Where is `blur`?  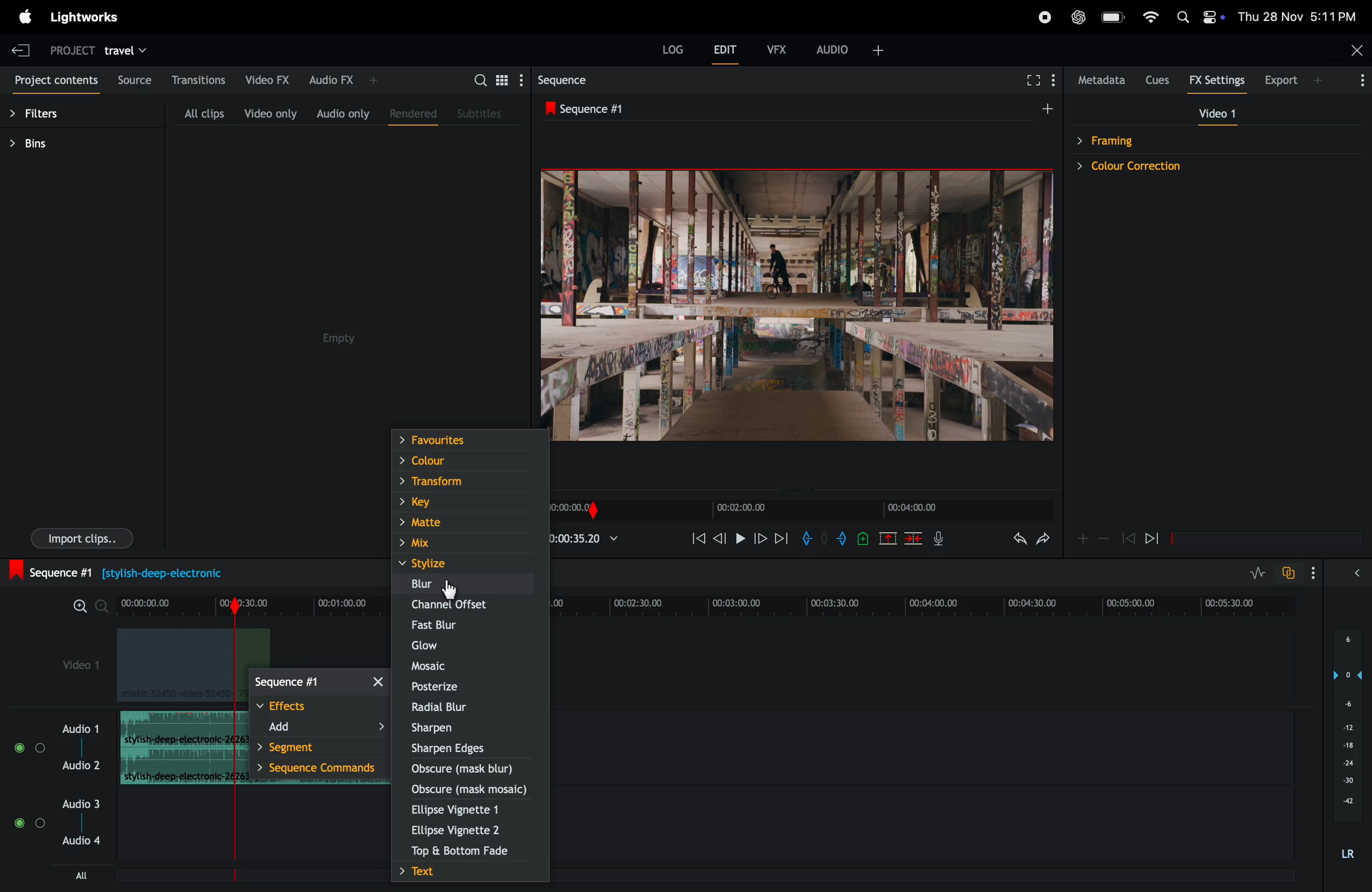
blur is located at coordinates (467, 584).